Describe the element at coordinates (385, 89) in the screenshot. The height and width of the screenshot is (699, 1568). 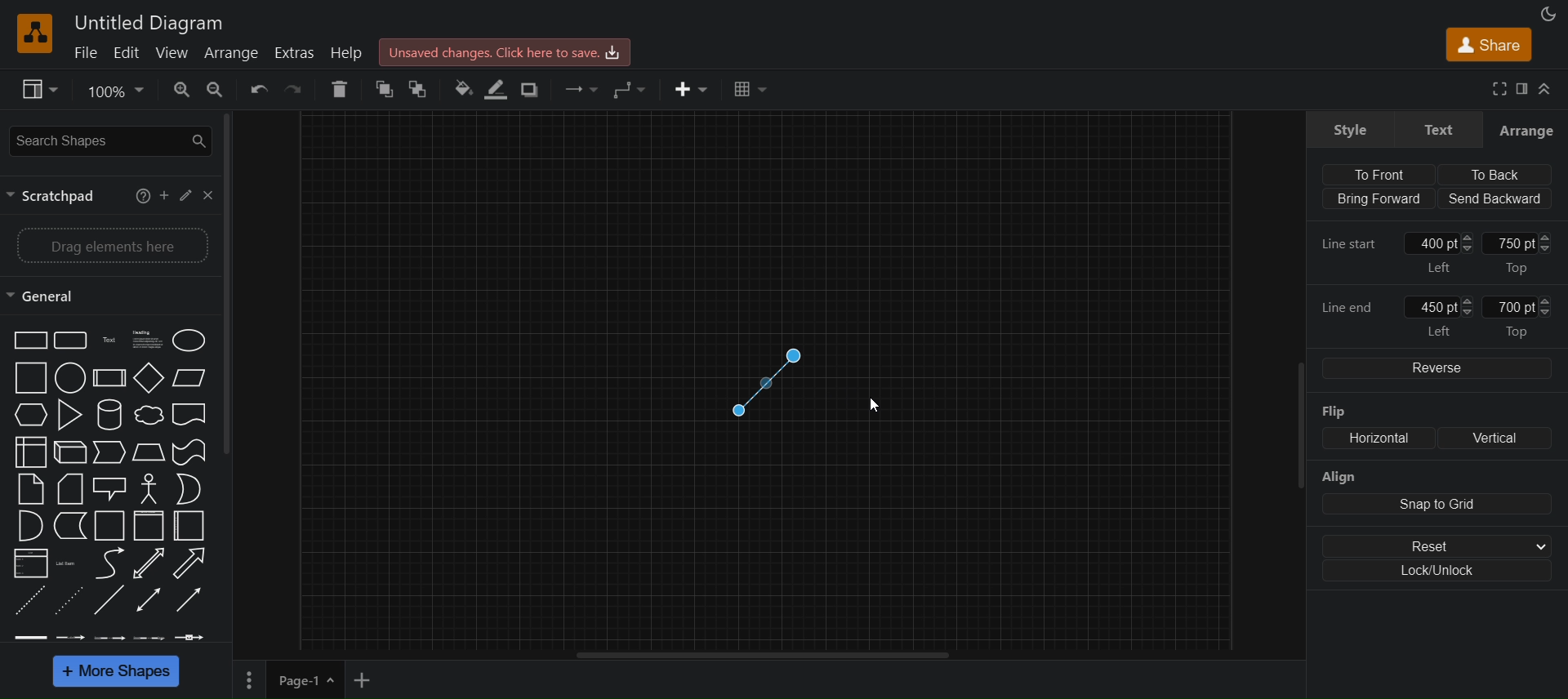
I see `to front` at that location.